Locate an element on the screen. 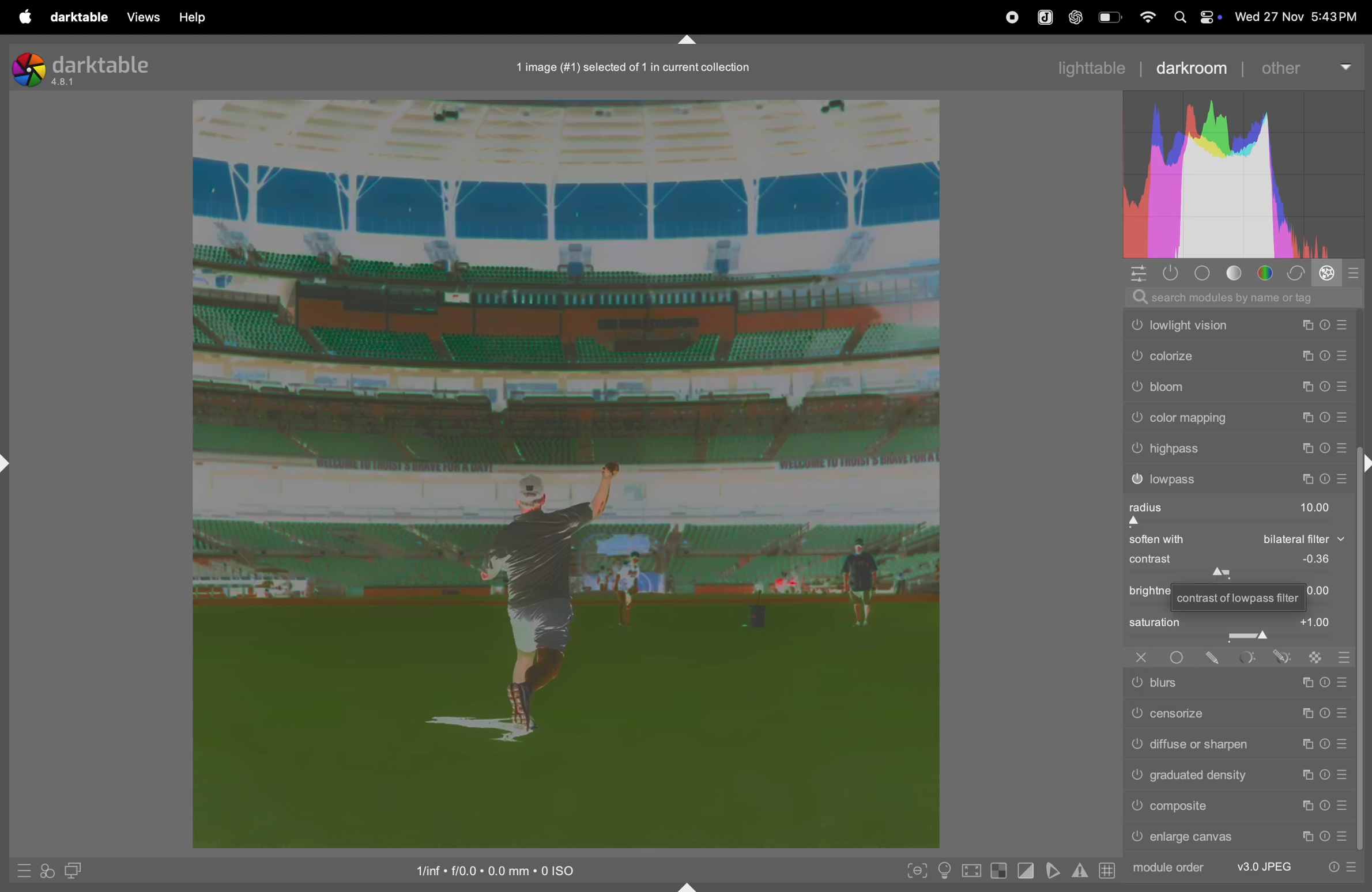 This screenshot has height=892, width=1372. toggle clipping indications is located at coordinates (1027, 870).